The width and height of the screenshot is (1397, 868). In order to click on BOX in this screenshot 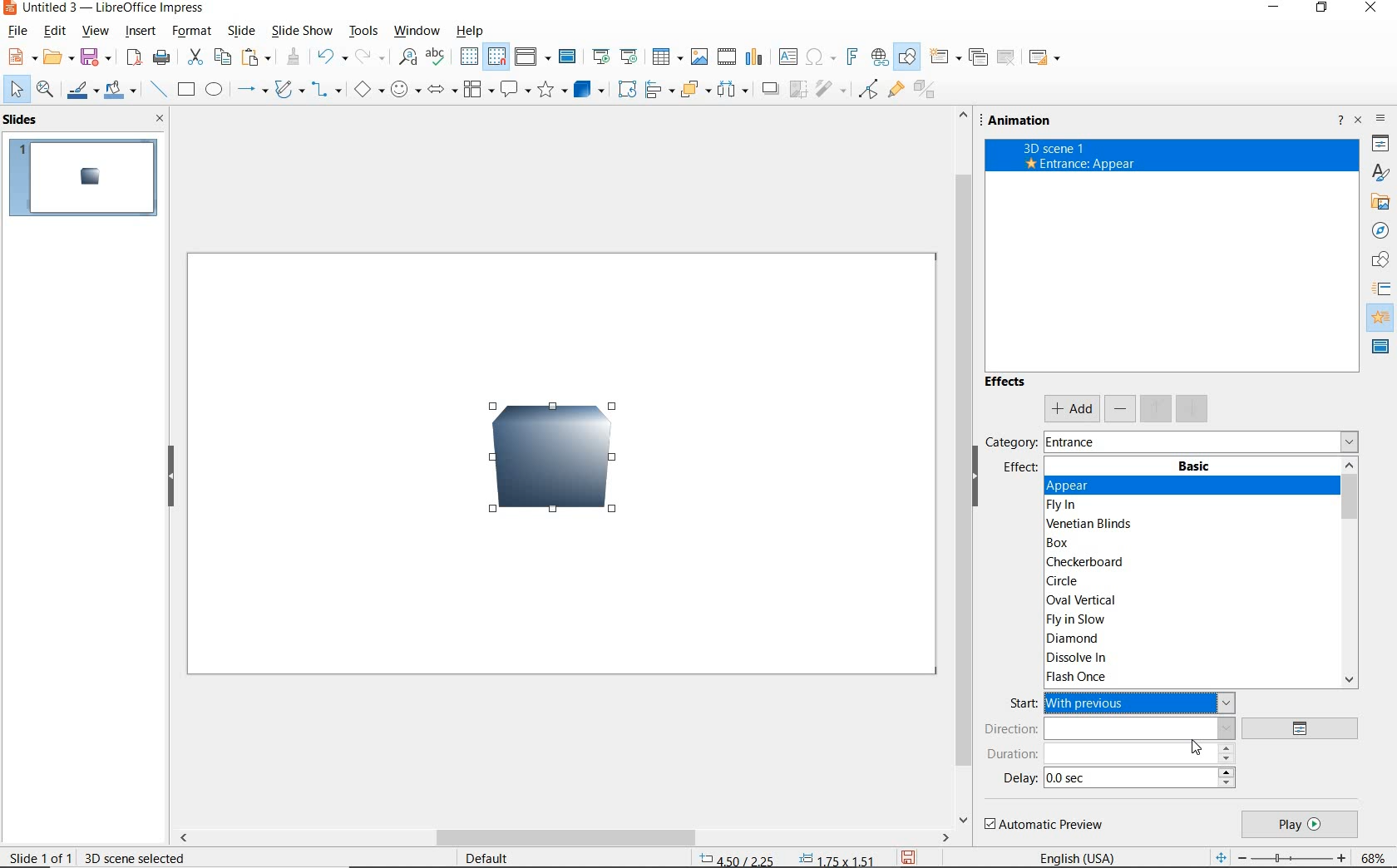, I will do `click(1067, 543)`.